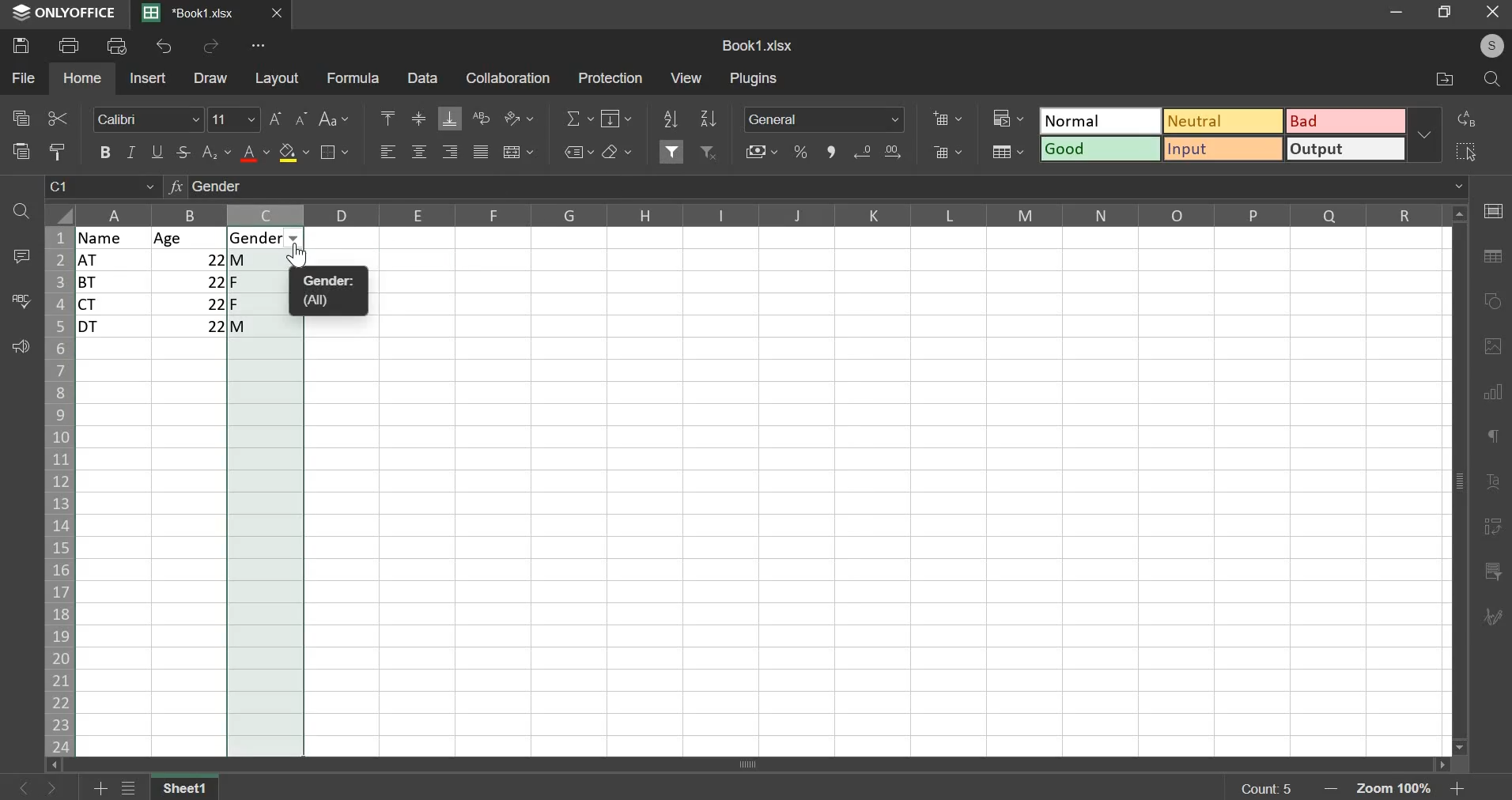 The image size is (1512, 800). Describe the element at coordinates (505, 77) in the screenshot. I see `collaboration` at that location.